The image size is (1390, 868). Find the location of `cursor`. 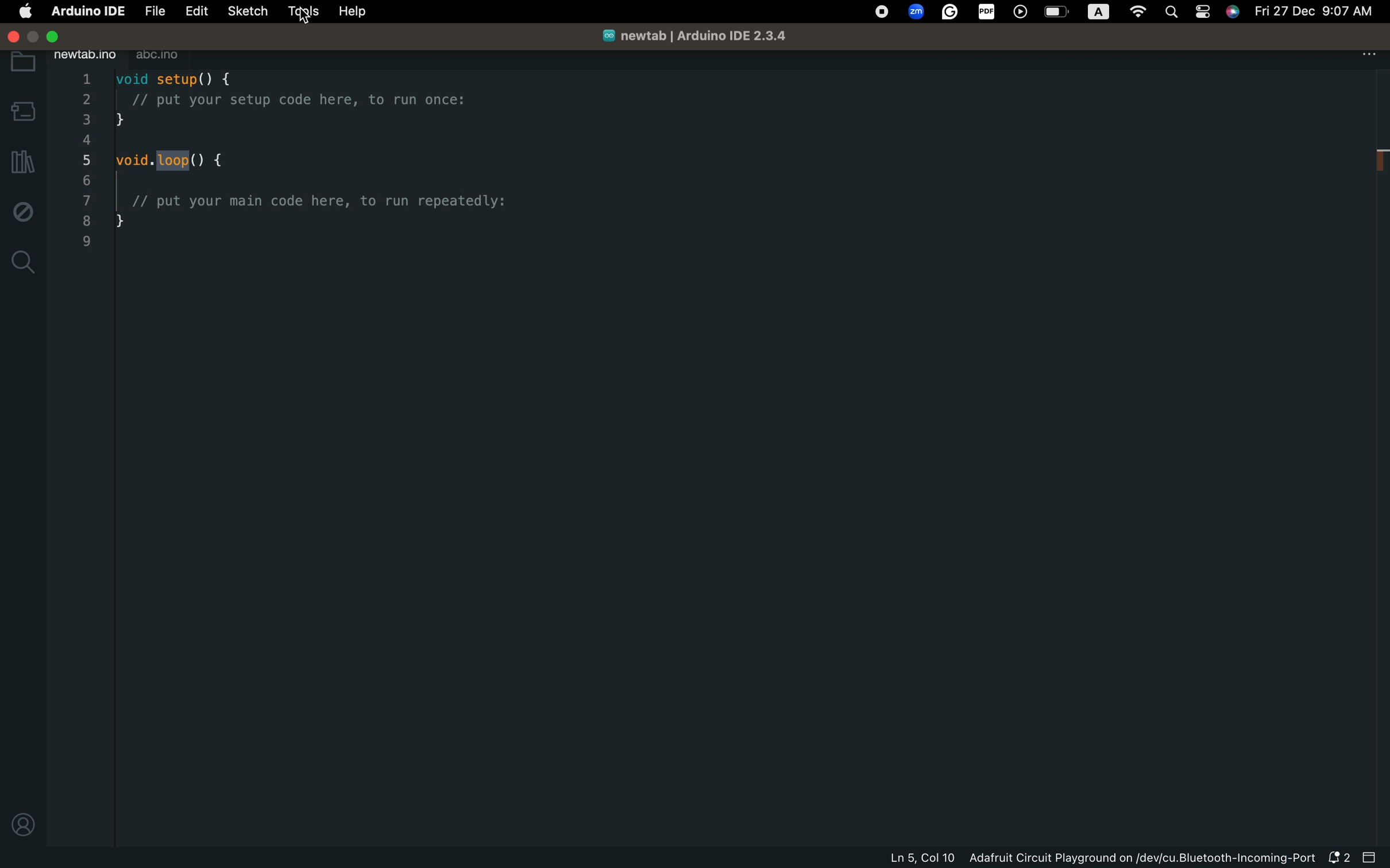

cursor is located at coordinates (304, 17).